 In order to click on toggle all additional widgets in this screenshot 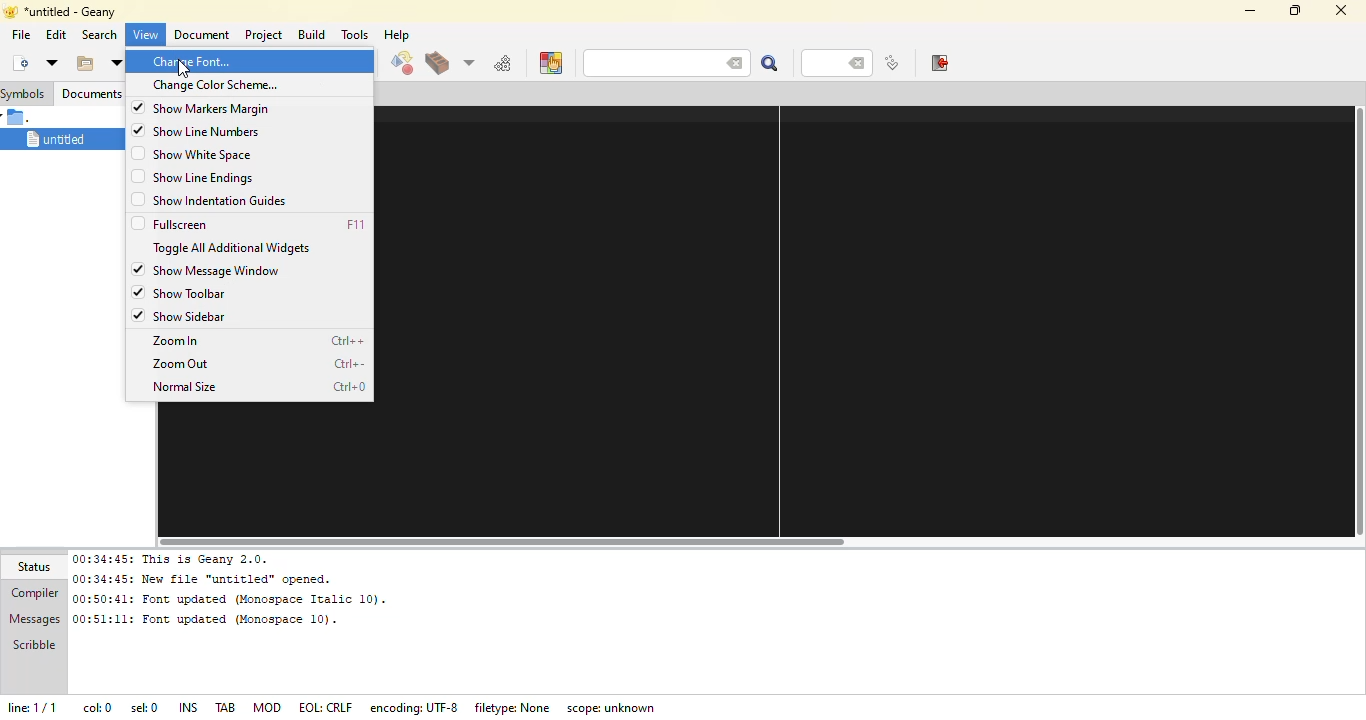, I will do `click(236, 247)`.